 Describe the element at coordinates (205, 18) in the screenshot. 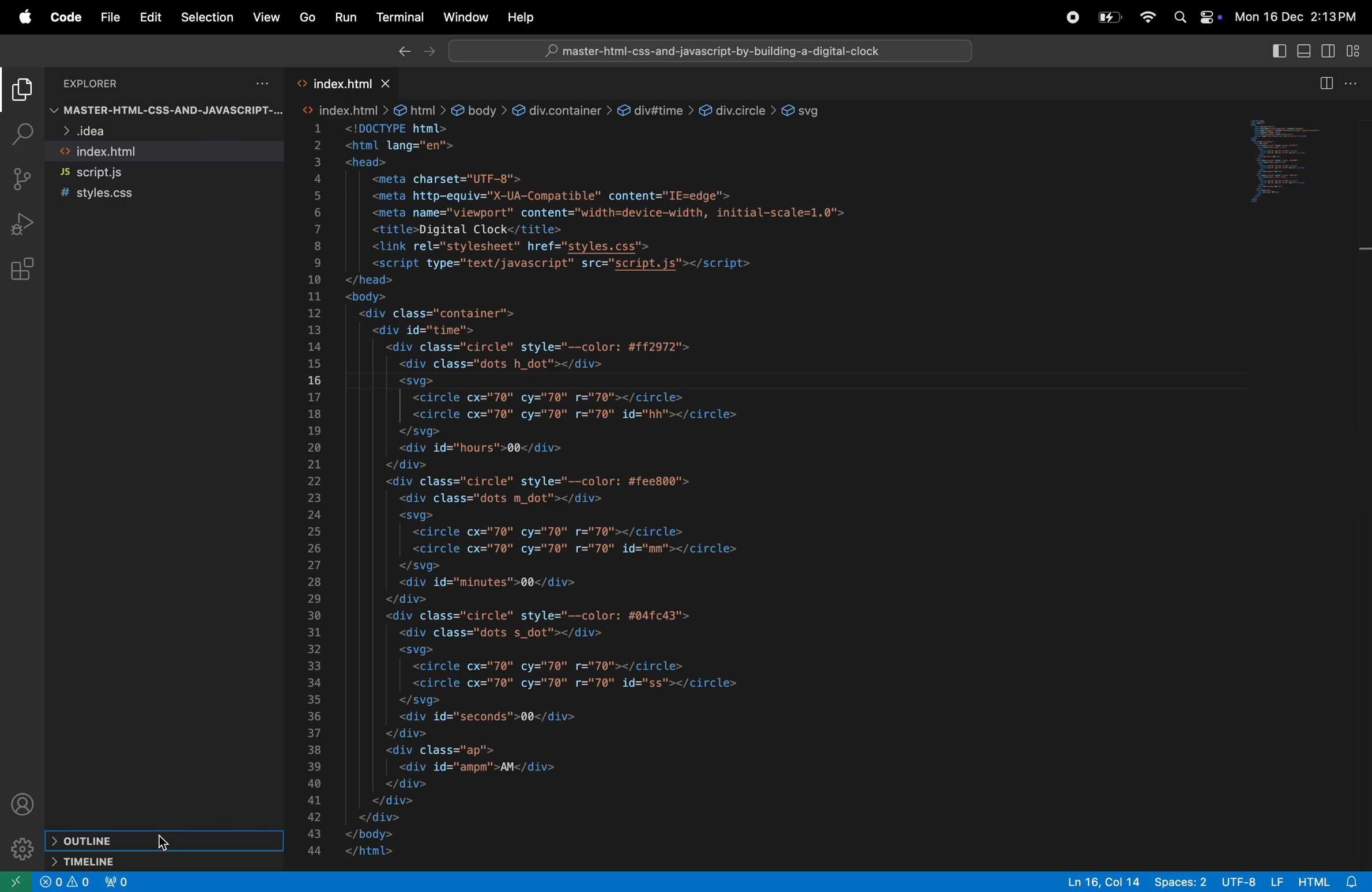

I see `selection` at that location.